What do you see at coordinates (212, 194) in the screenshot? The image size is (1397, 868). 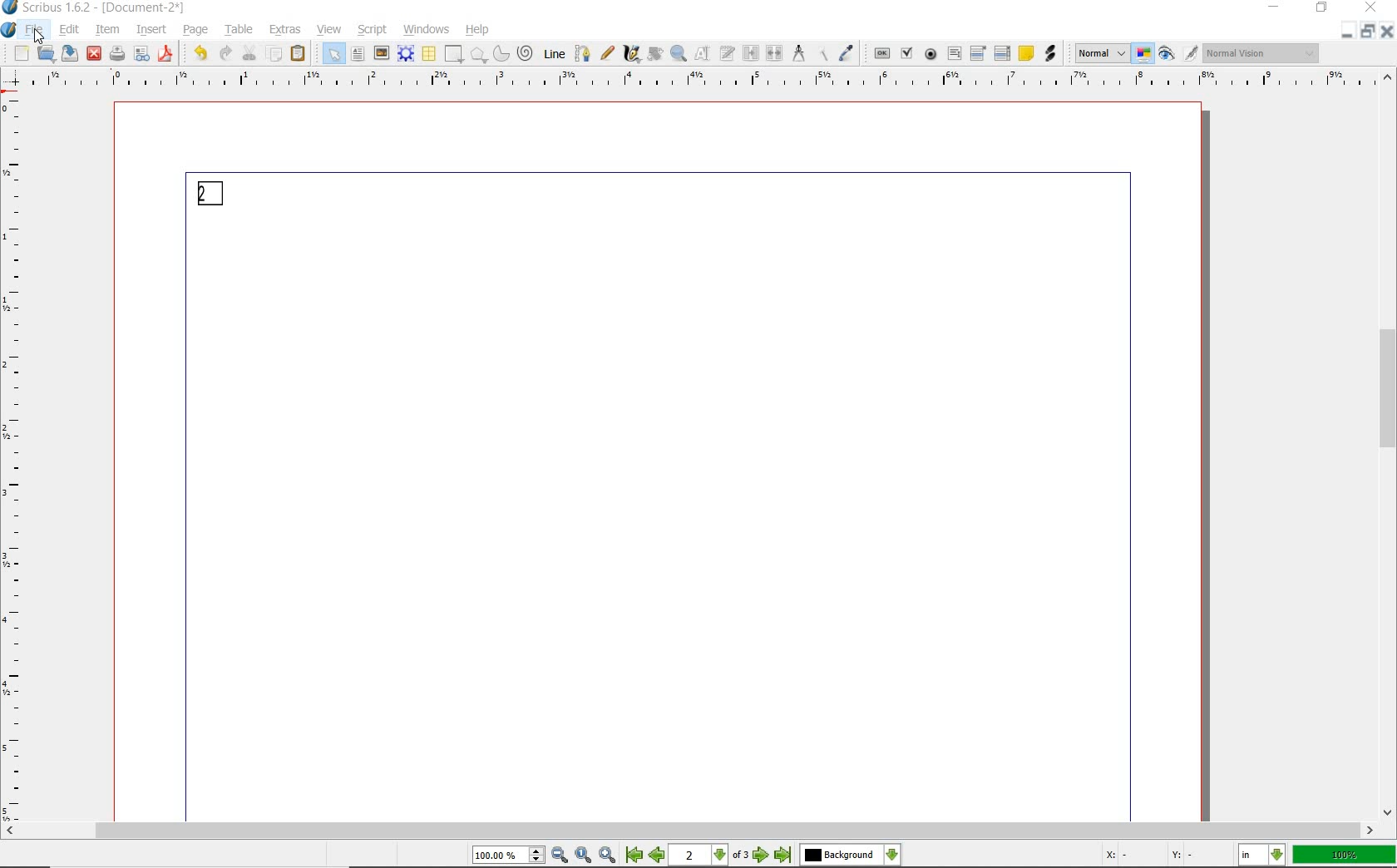 I see `Page 2 Numbering` at bounding box center [212, 194].